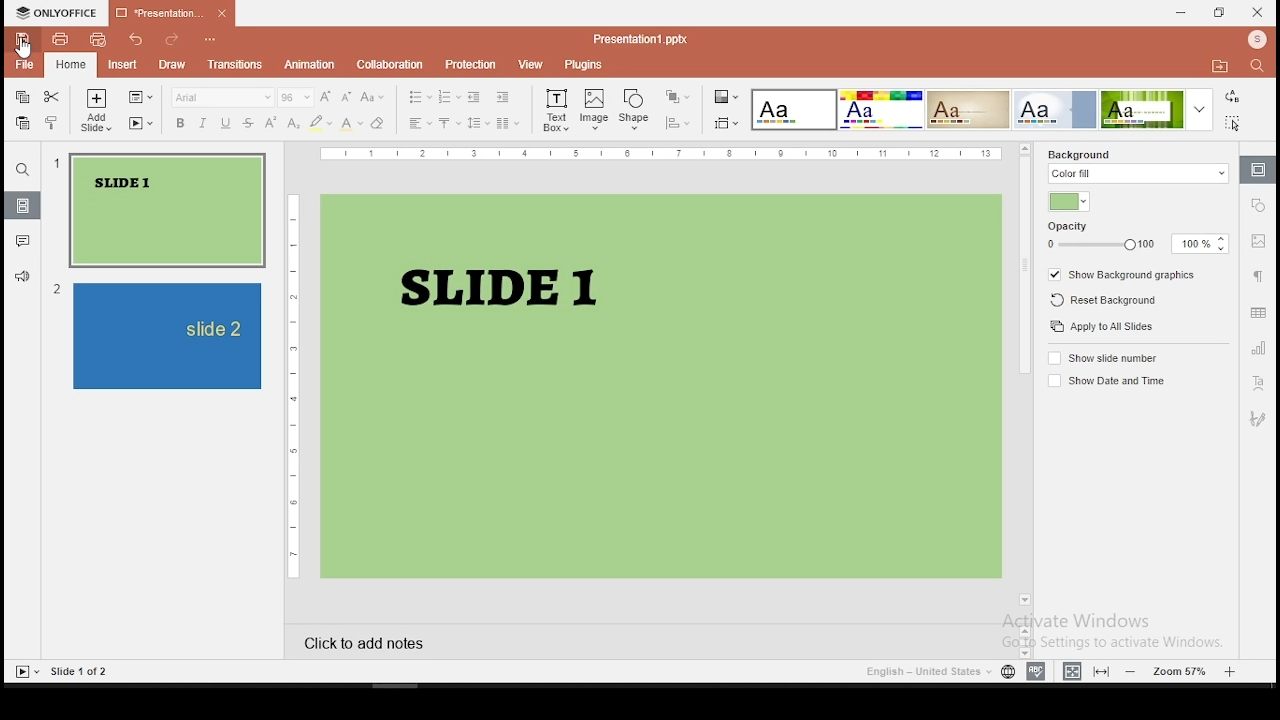 The width and height of the screenshot is (1280, 720). What do you see at coordinates (24, 124) in the screenshot?
I see `paste` at bounding box center [24, 124].